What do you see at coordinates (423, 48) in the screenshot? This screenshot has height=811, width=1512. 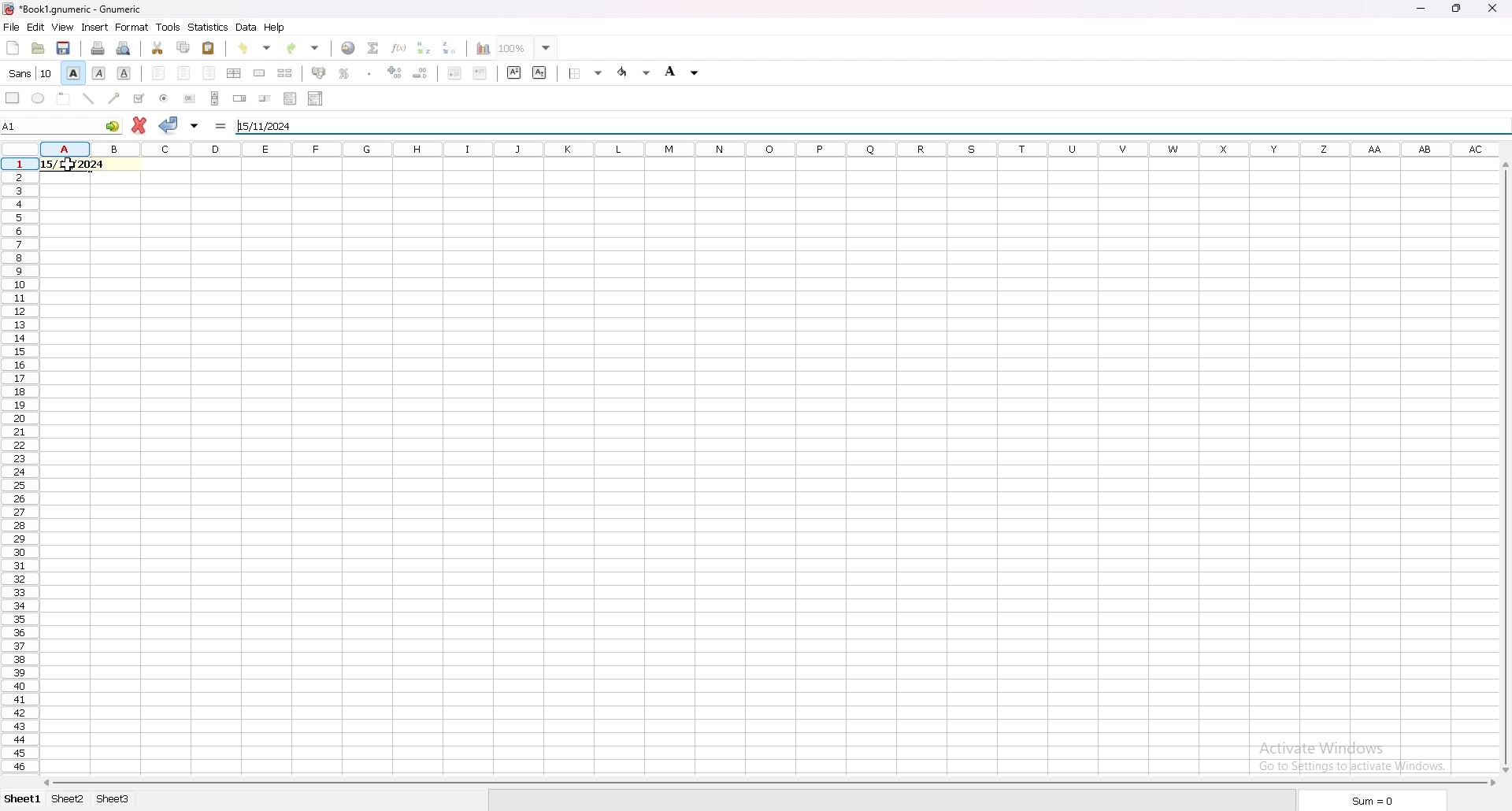 I see `sort ascending` at bounding box center [423, 48].